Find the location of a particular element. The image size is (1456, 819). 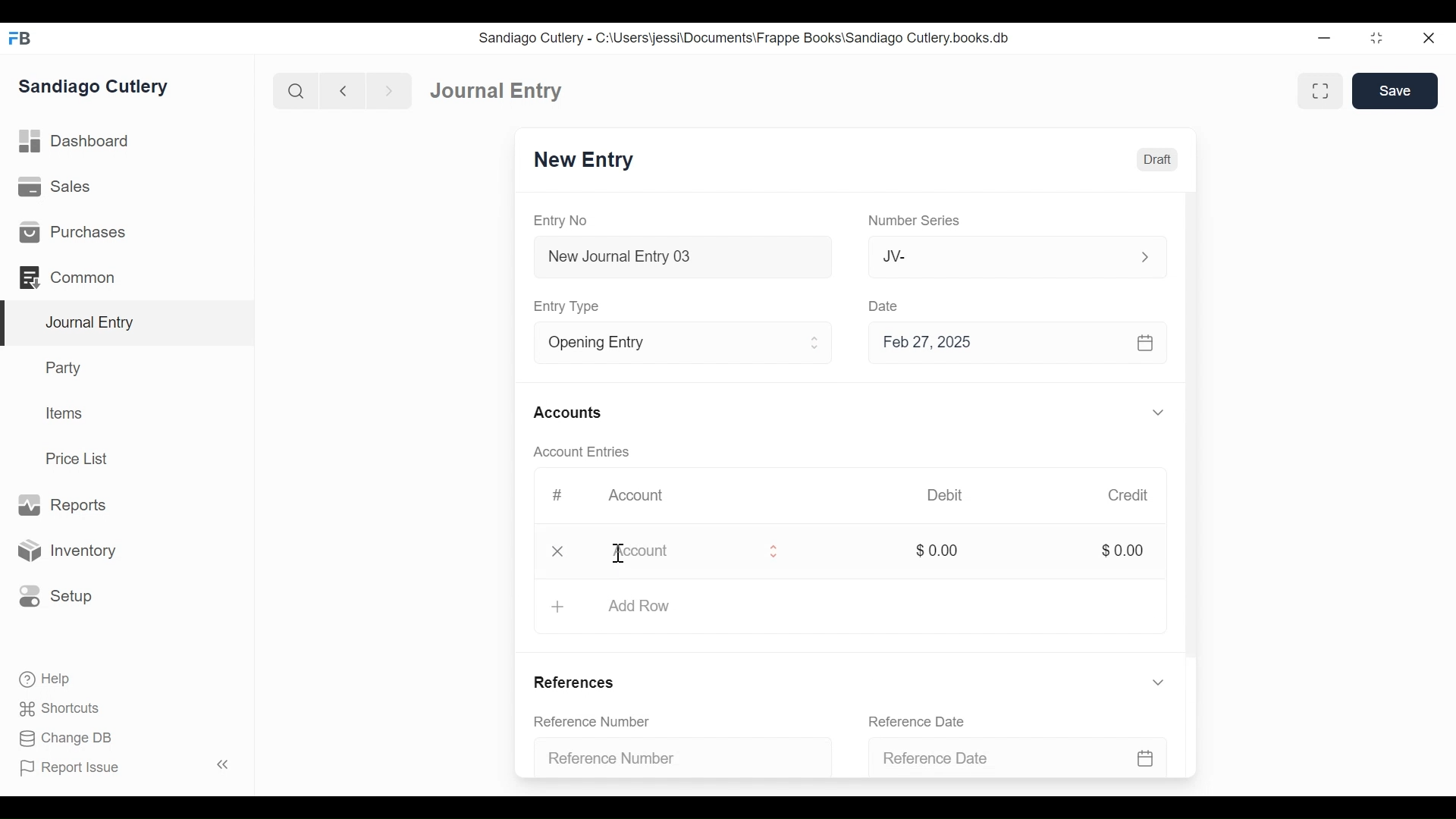

Cursor is located at coordinates (621, 554).